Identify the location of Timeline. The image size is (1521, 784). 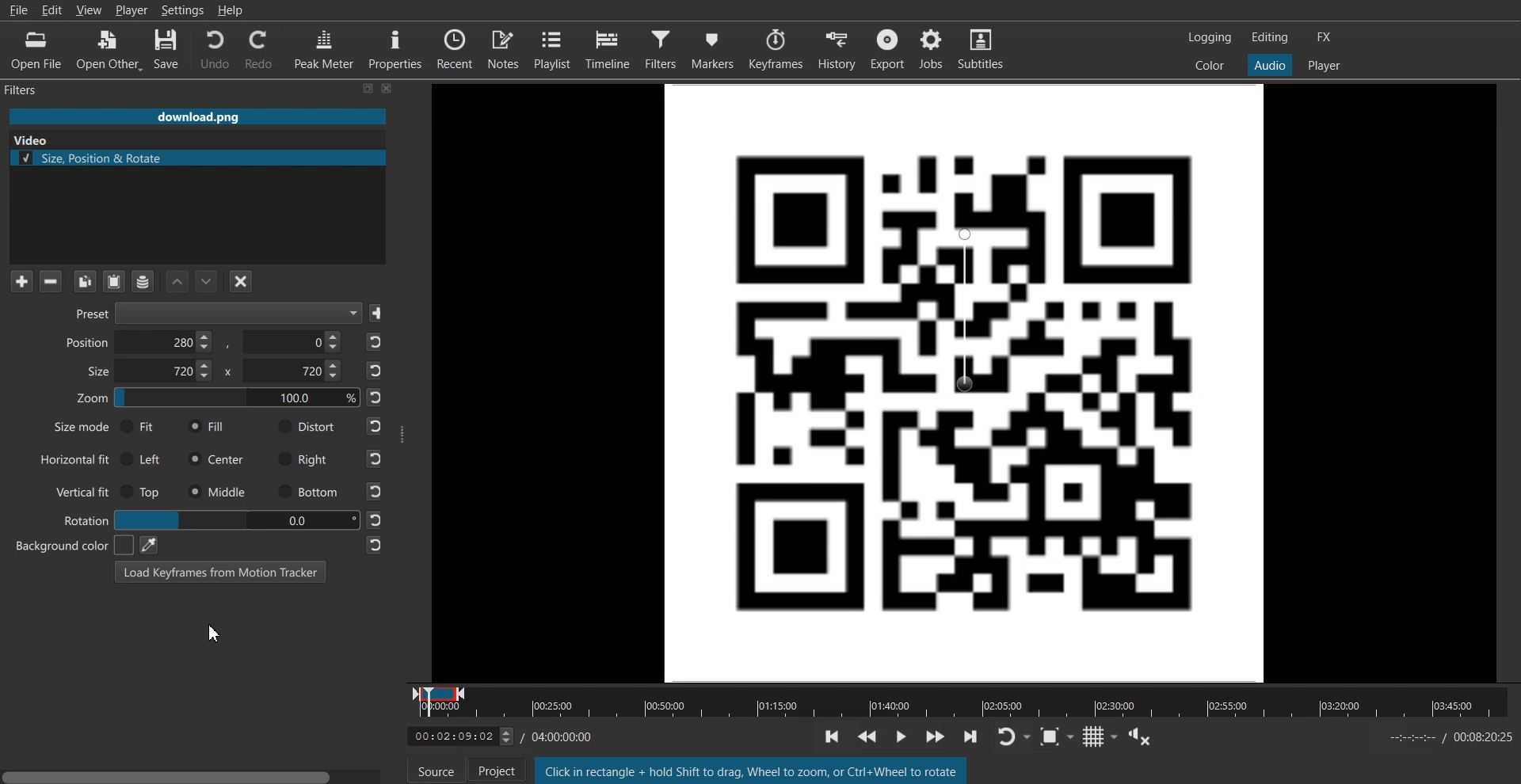
(609, 48).